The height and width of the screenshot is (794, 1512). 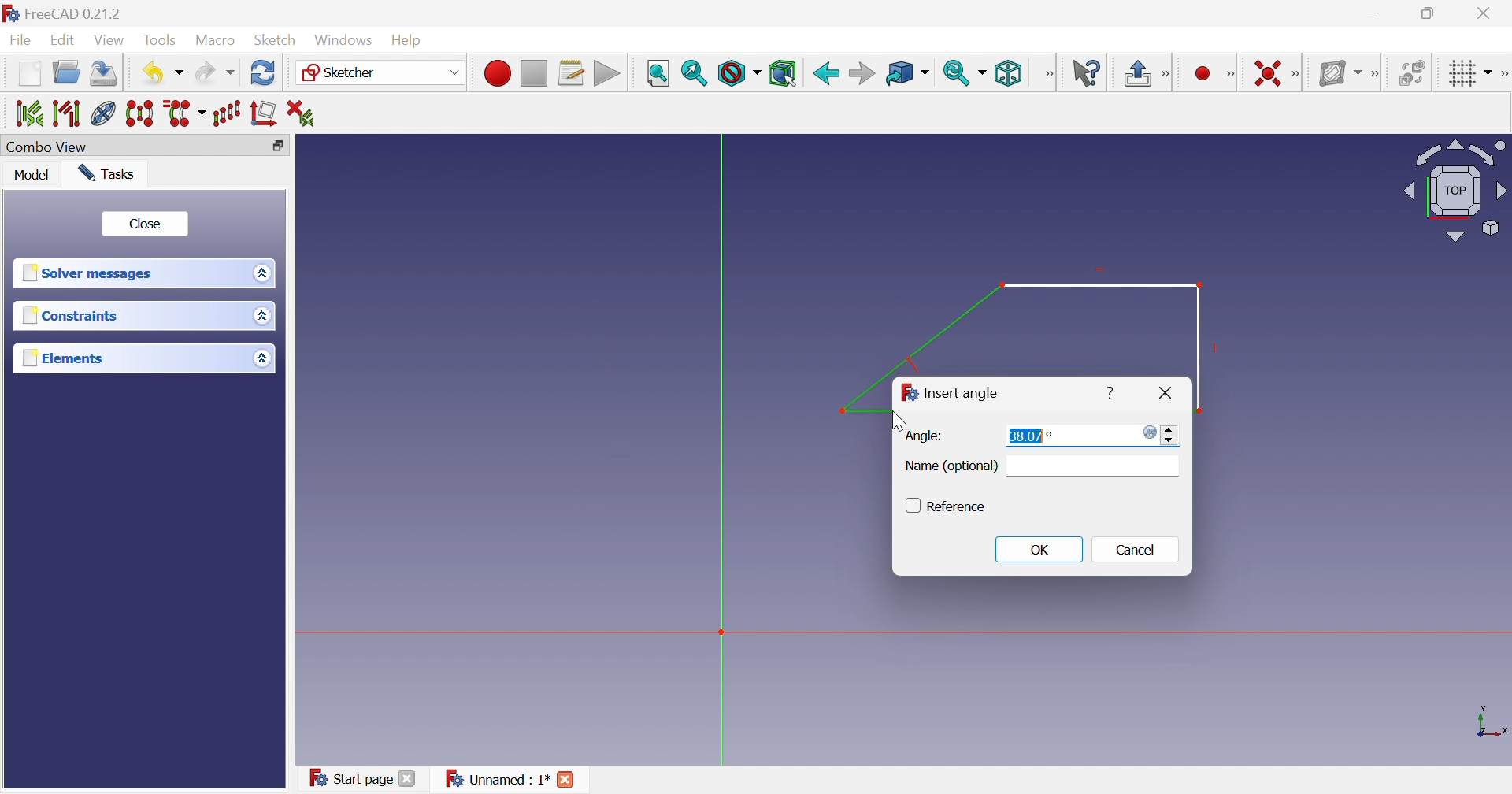 I want to click on Enter an expression, so click(x=1146, y=432).